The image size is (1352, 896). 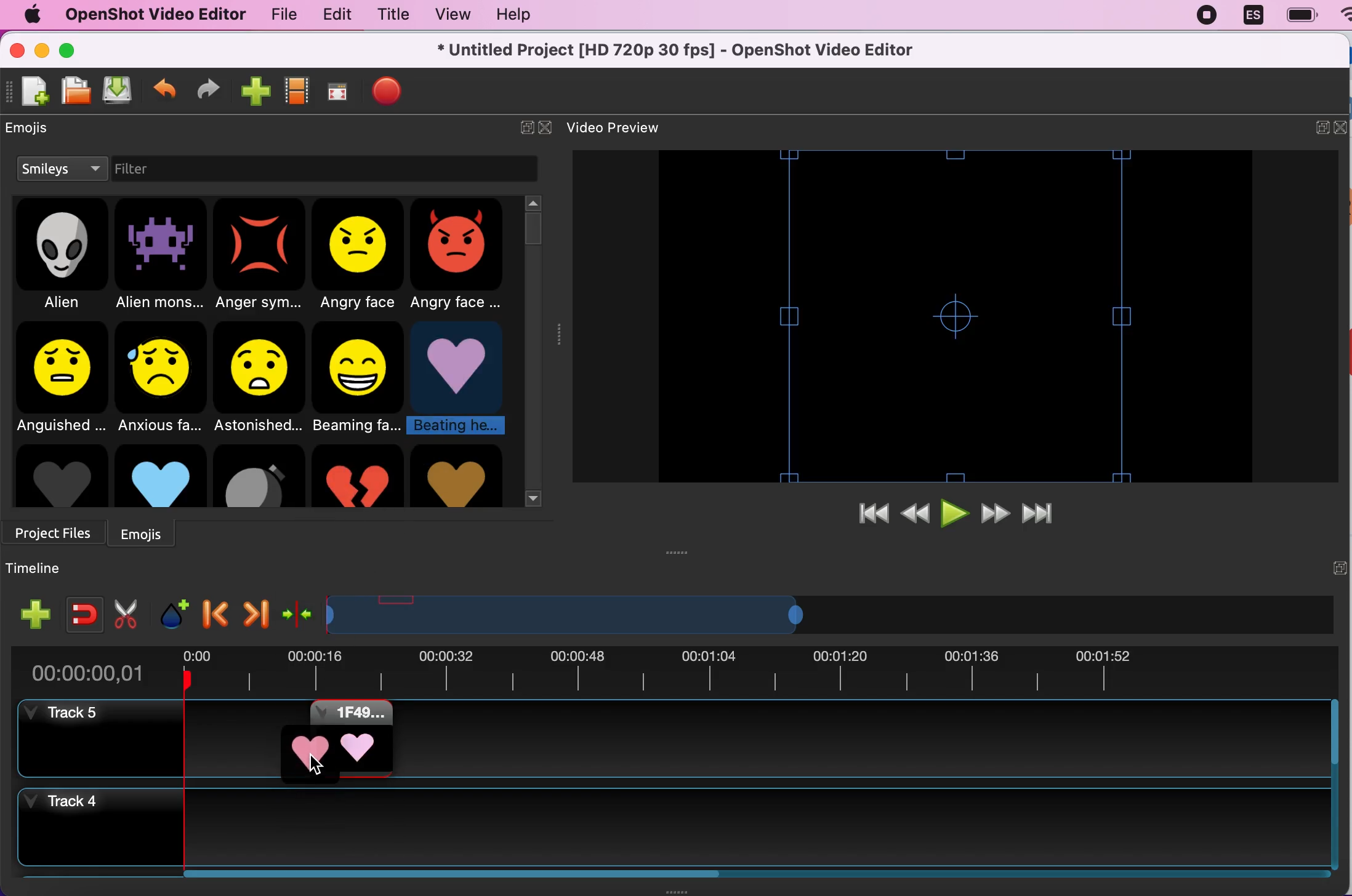 What do you see at coordinates (388, 15) in the screenshot?
I see `title` at bounding box center [388, 15].